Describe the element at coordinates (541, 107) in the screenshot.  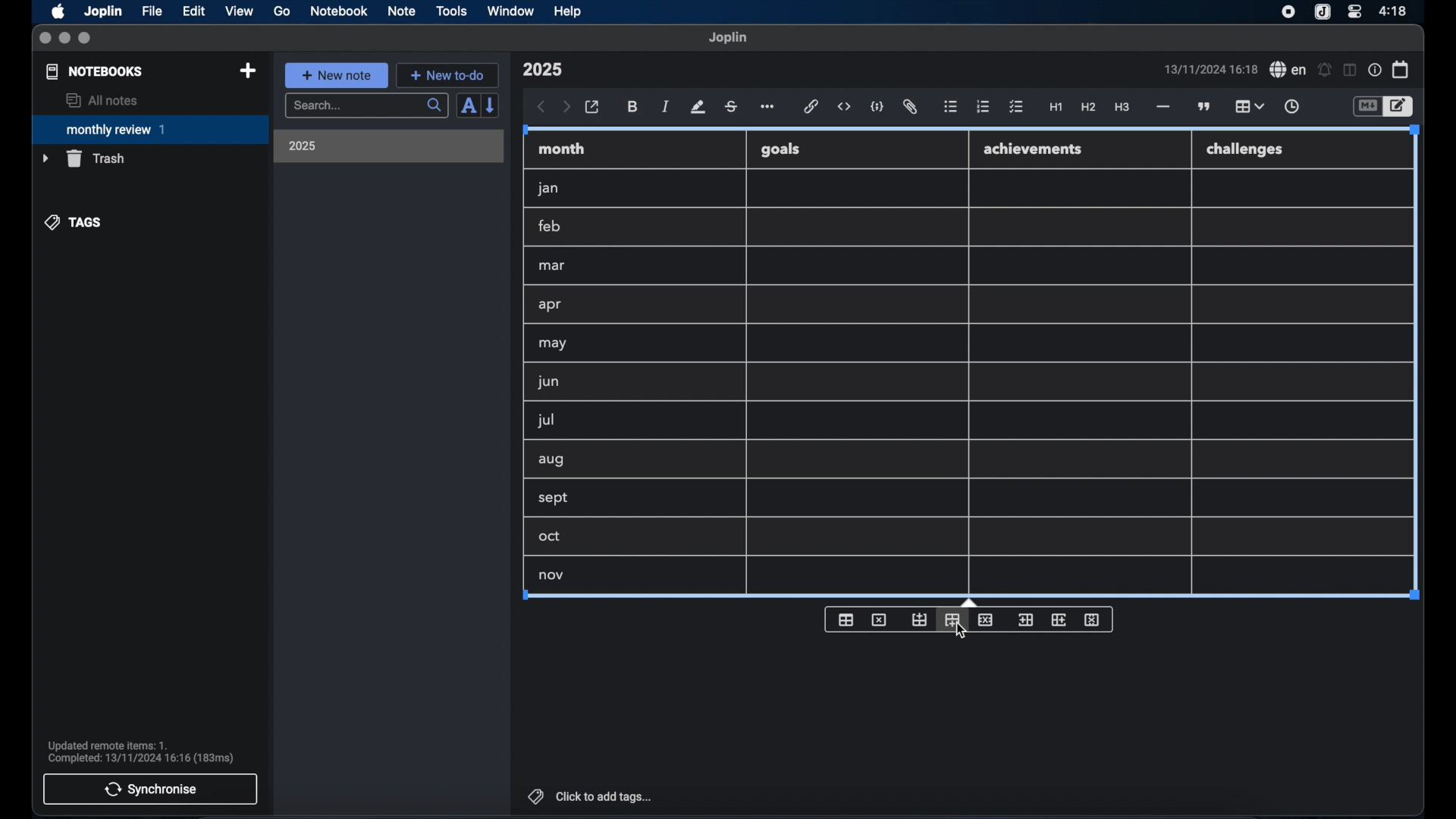
I see `back` at that location.